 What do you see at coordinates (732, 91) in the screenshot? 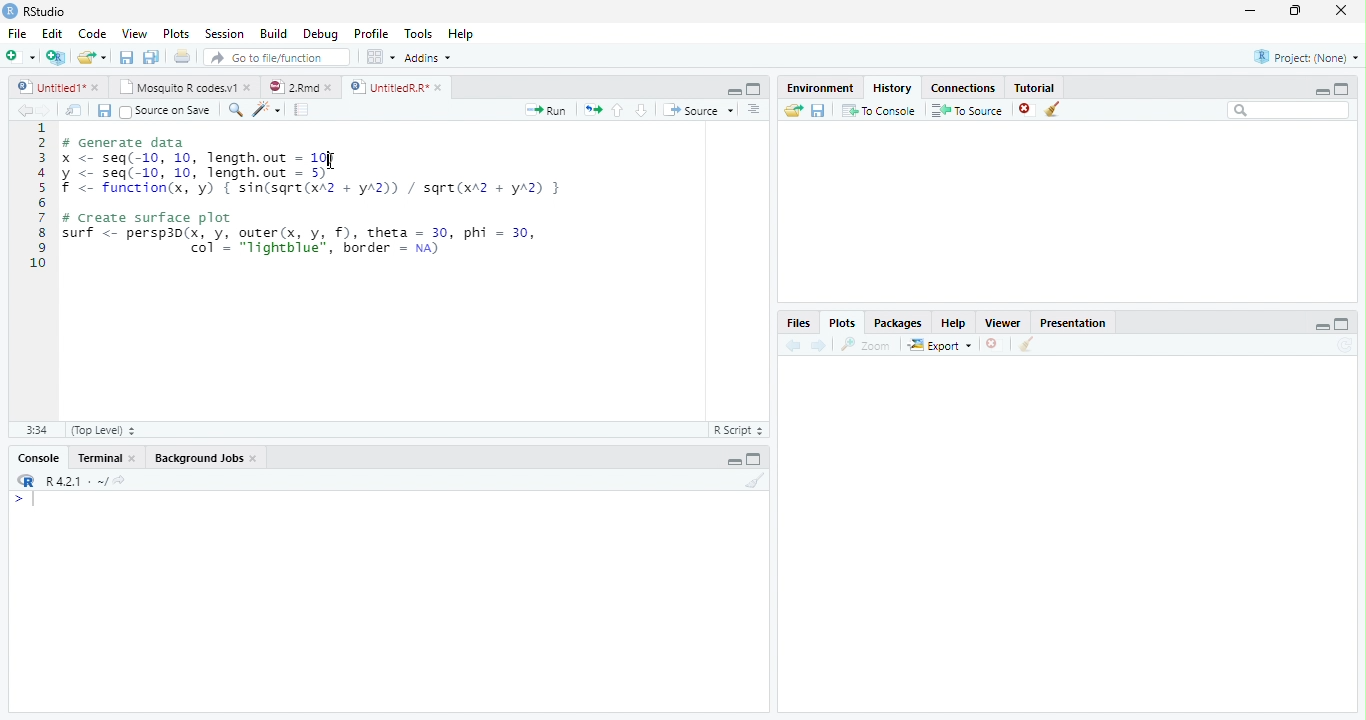
I see `Minimize` at bounding box center [732, 91].